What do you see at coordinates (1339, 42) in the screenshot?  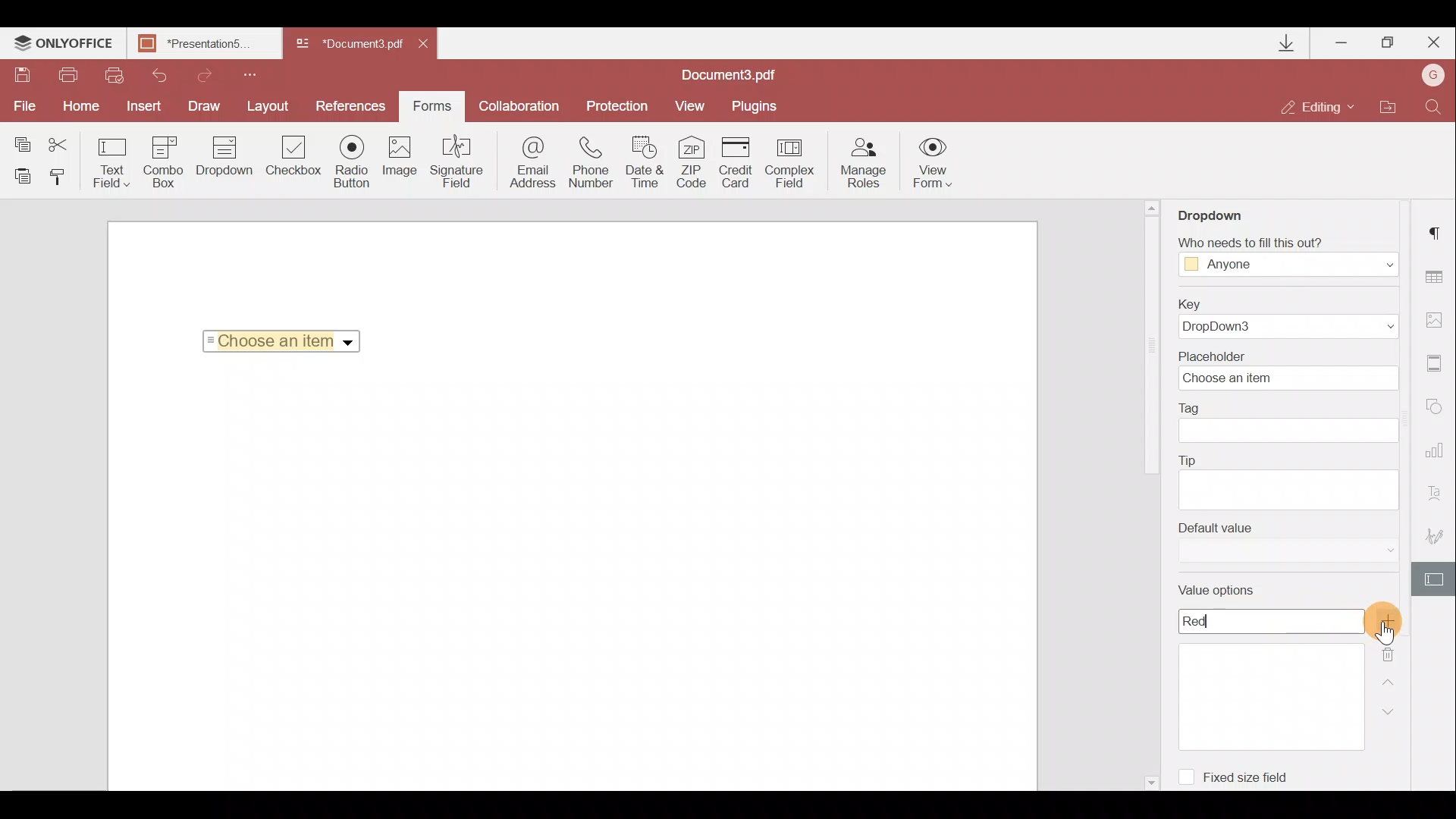 I see `Minimize` at bounding box center [1339, 42].